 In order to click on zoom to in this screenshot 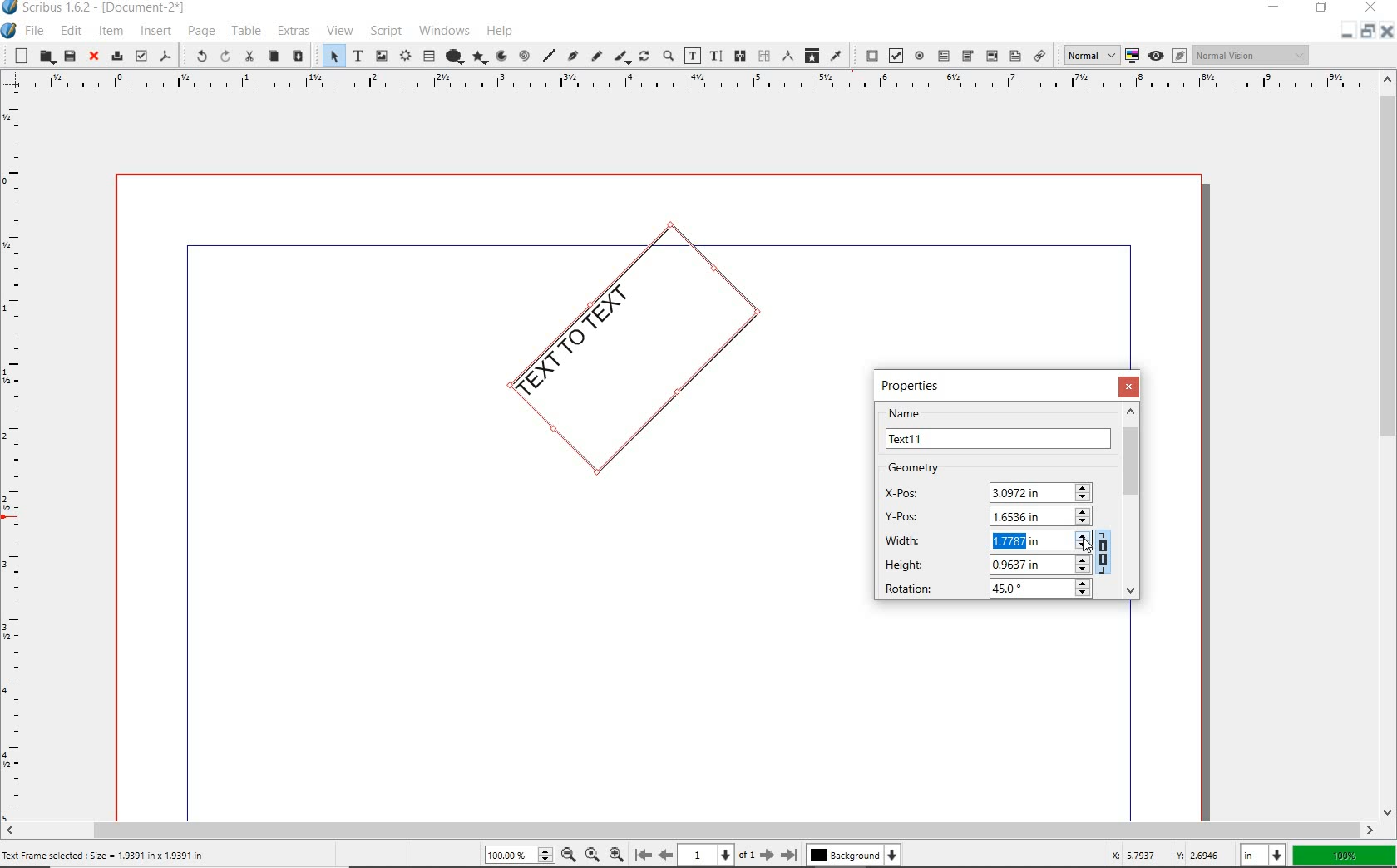, I will do `click(595, 855)`.